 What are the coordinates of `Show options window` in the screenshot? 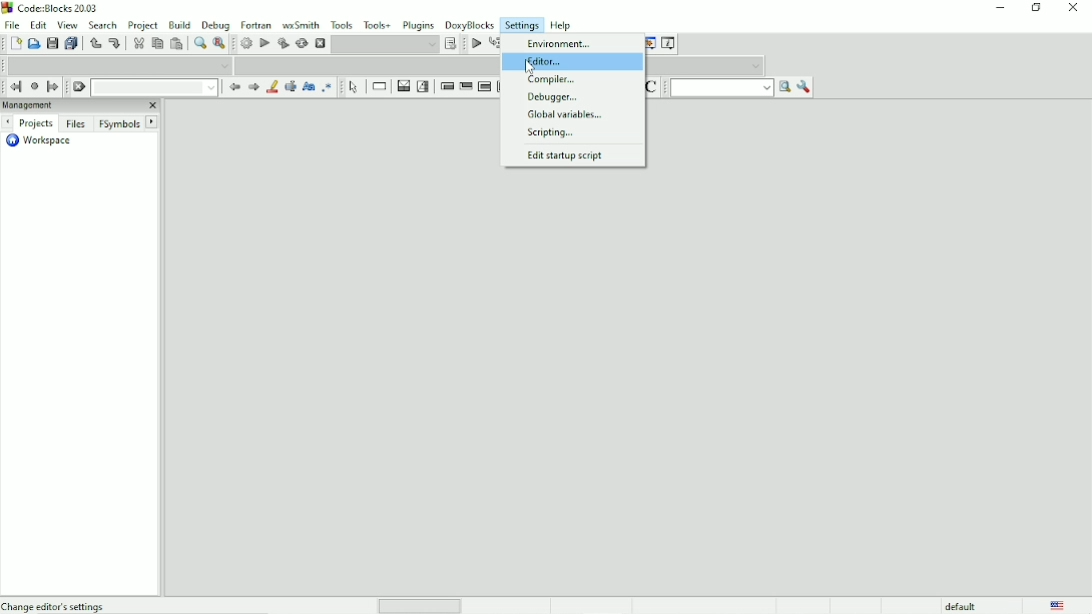 It's located at (804, 88).